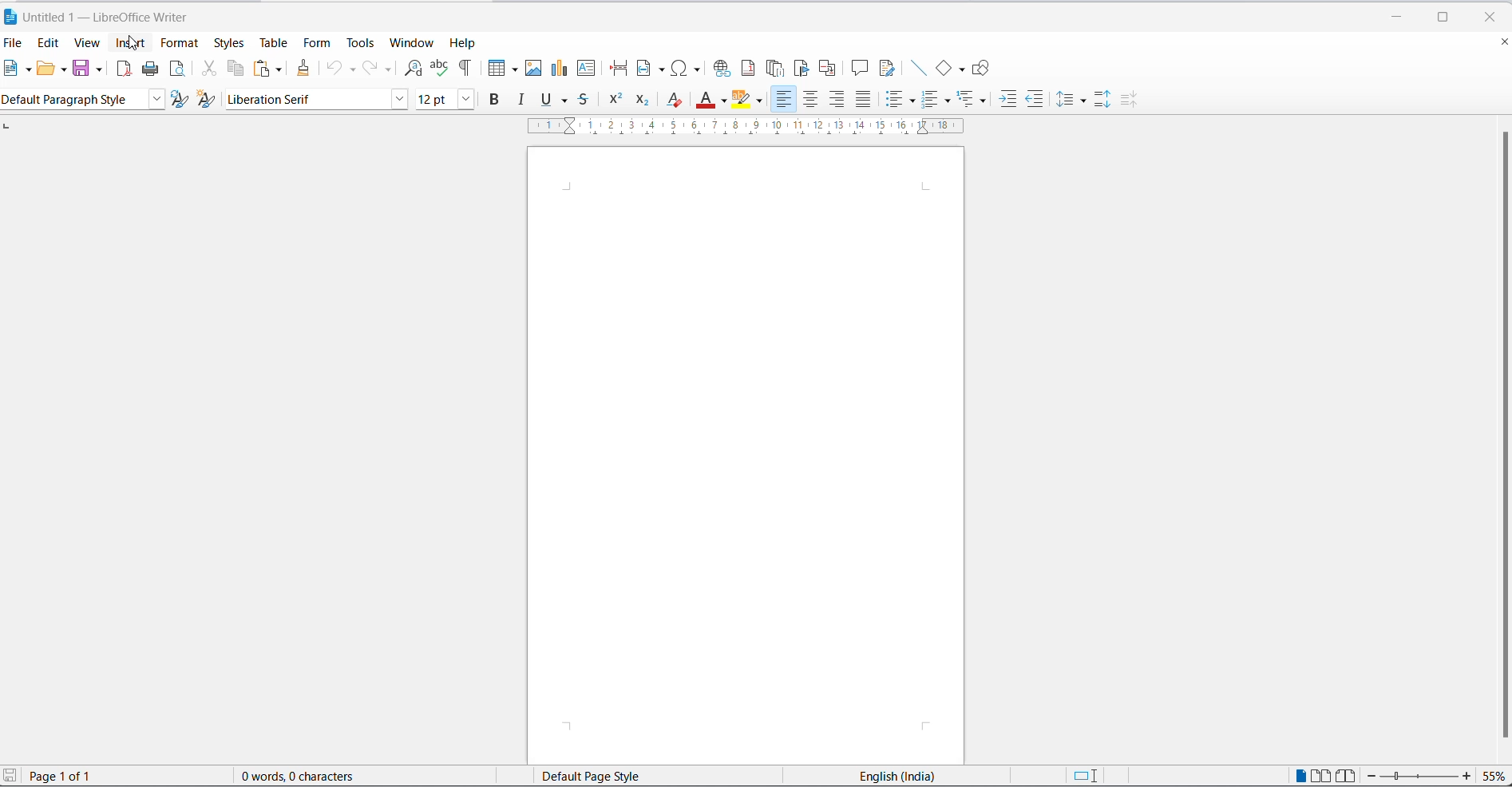  Describe the element at coordinates (277, 42) in the screenshot. I see `table` at that location.